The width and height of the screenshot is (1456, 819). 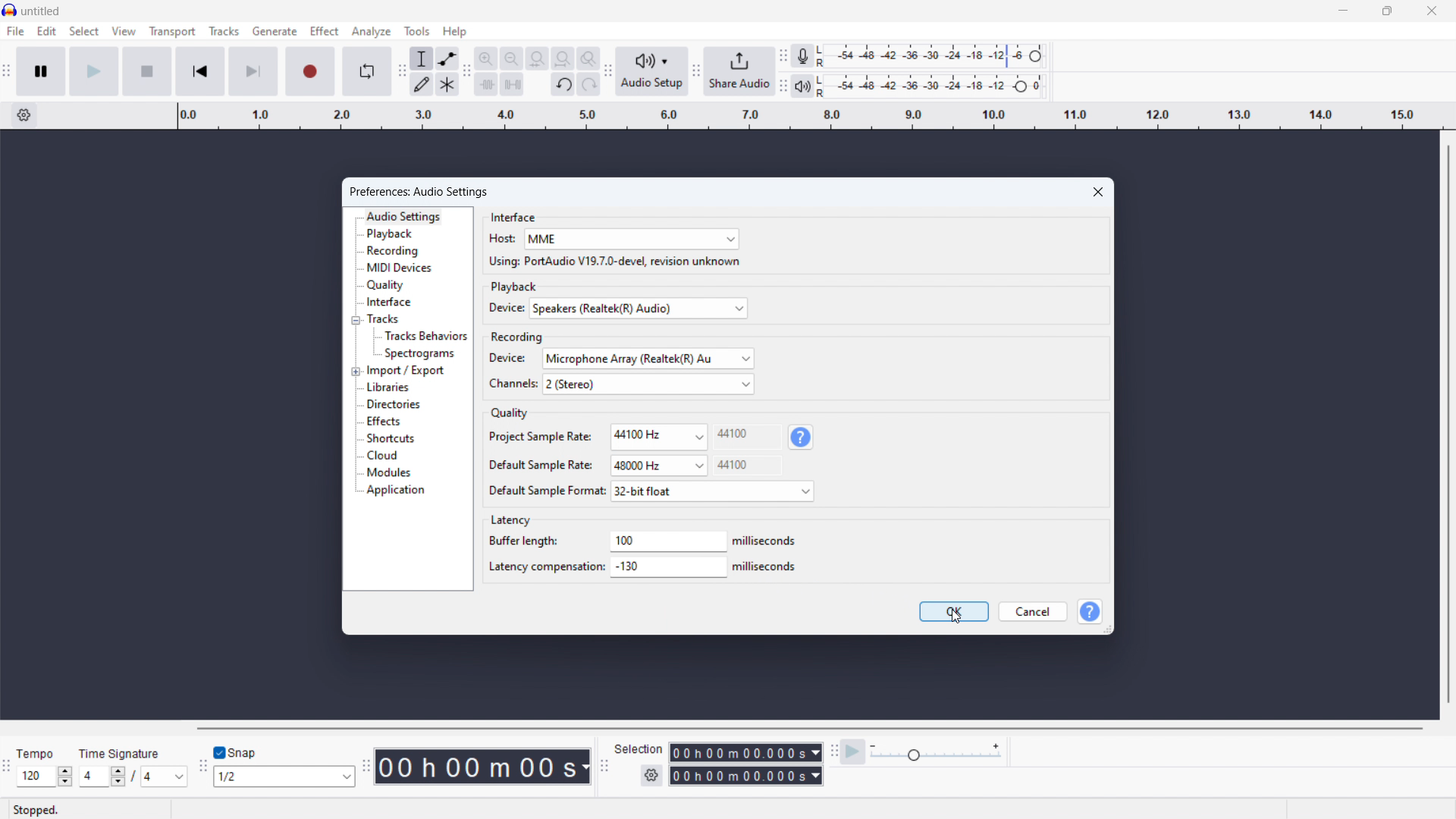 I want to click on 44100, so click(x=748, y=435).